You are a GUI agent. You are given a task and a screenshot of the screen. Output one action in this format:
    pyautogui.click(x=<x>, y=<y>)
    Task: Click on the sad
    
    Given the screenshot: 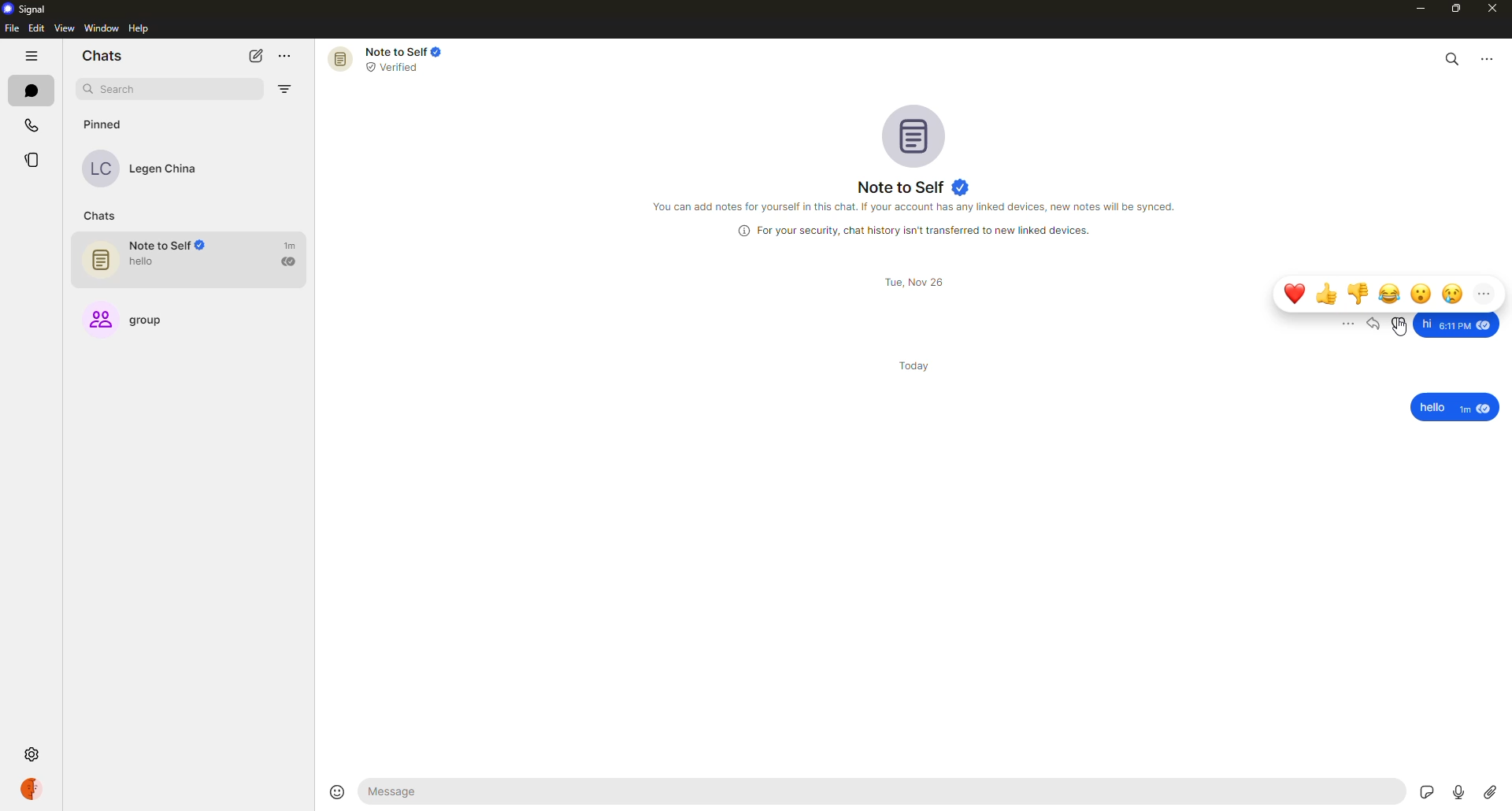 What is the action you would take?
    pyautogui.click(x=1453, y=293)
    